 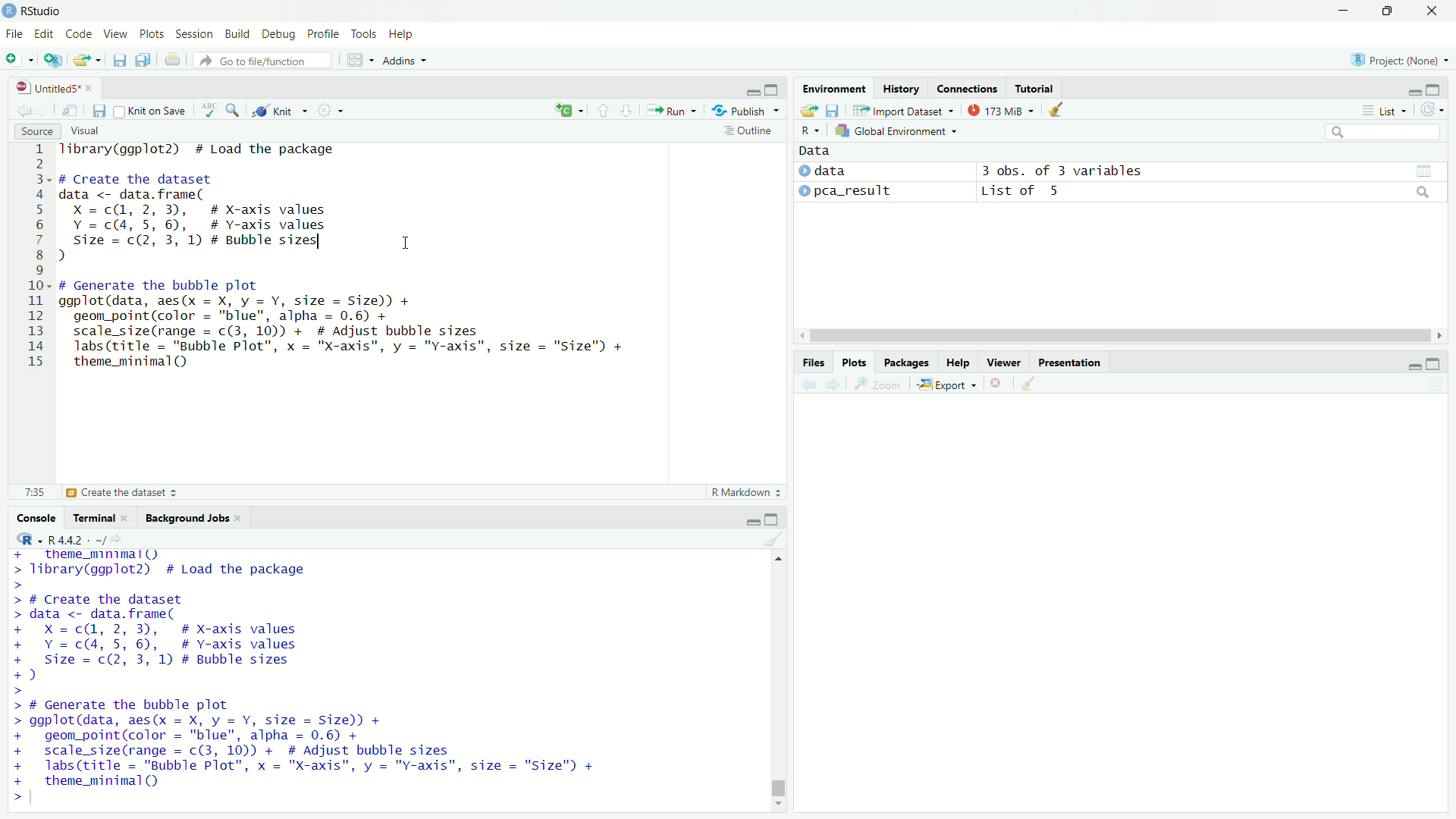 What do you see at coordinates (1436, 88) in the screenshot?
I see `maximize` at bounding box center [1436, 88].